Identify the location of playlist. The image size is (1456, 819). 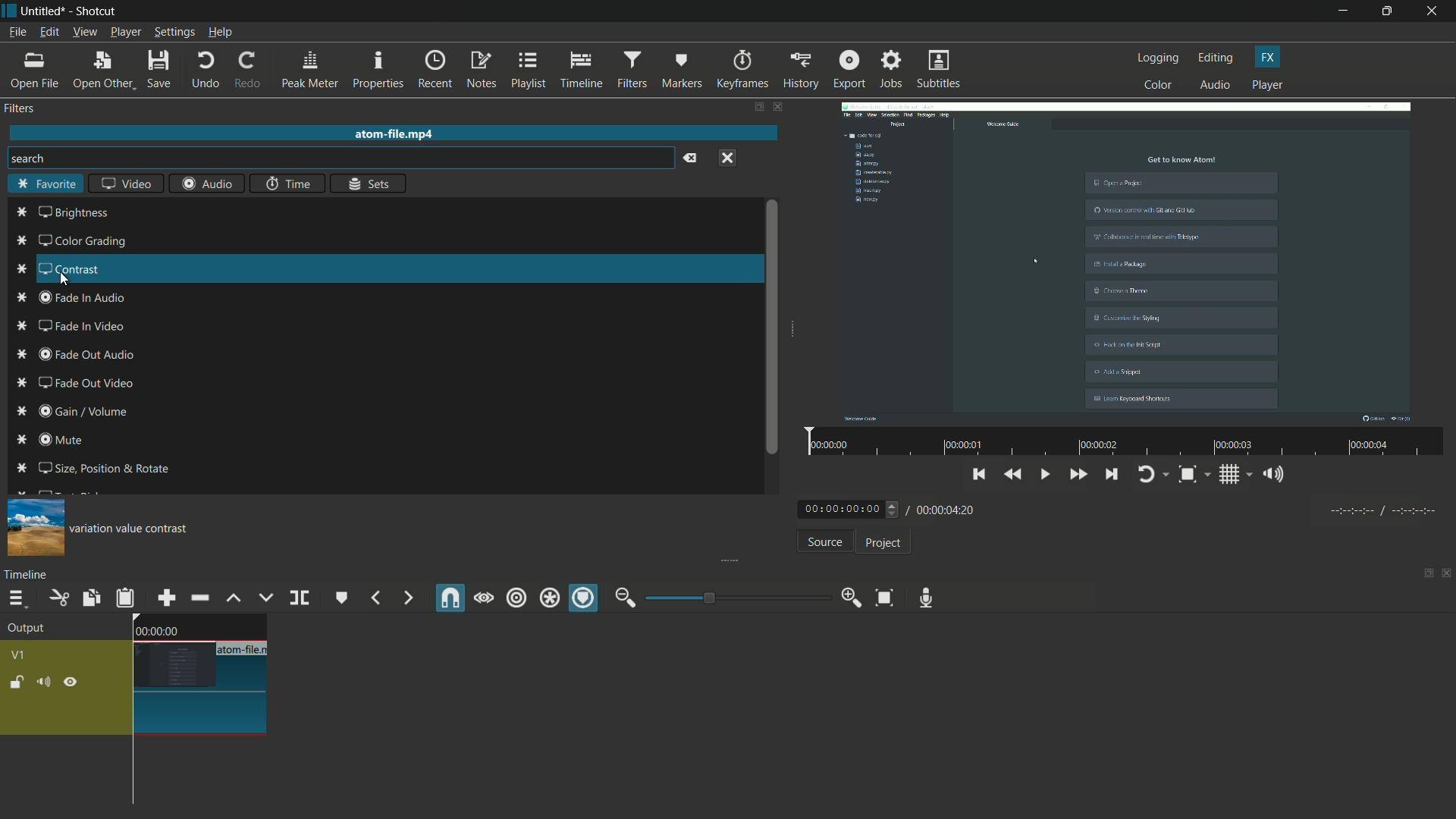
(529, 70).